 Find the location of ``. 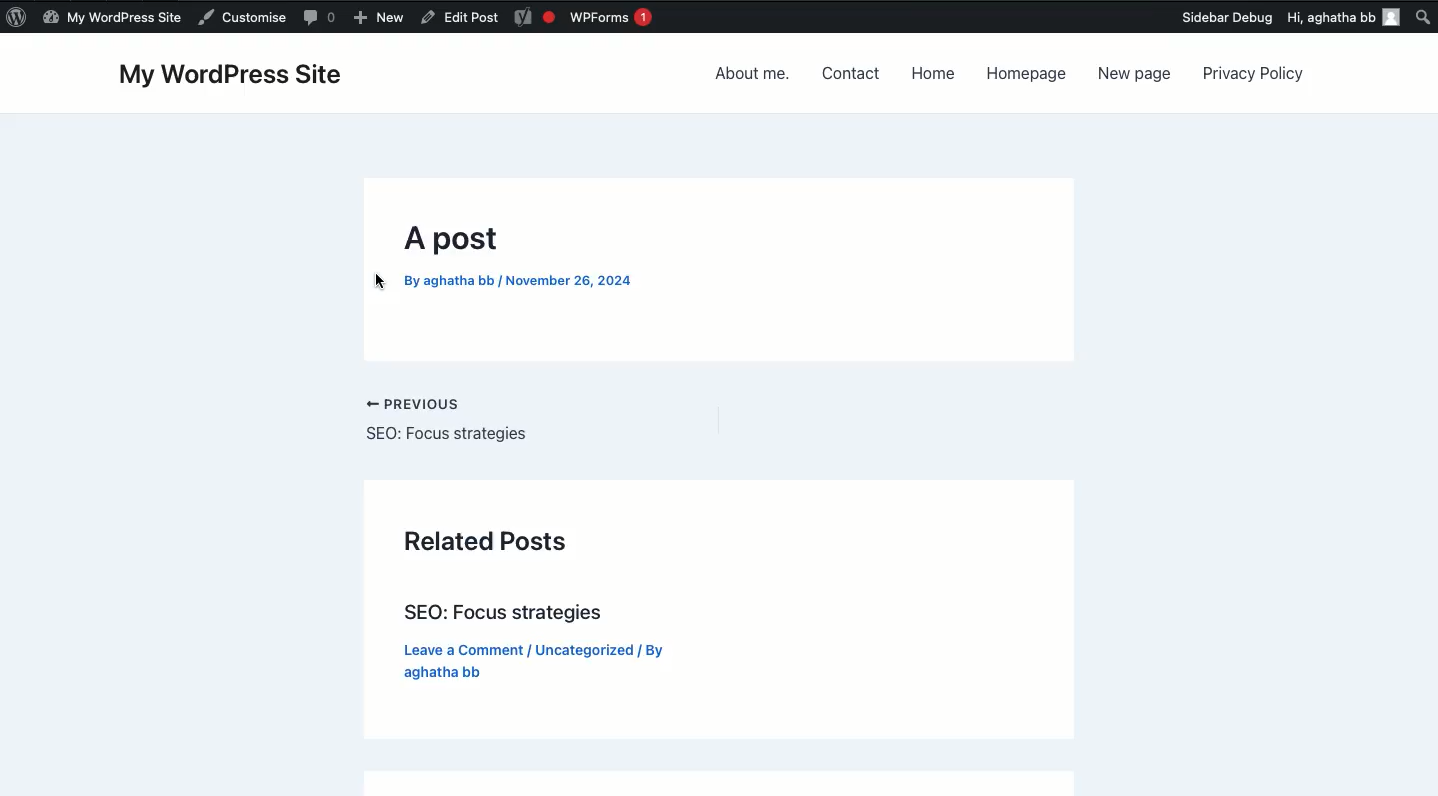

 is located at coordinates (460, 19).